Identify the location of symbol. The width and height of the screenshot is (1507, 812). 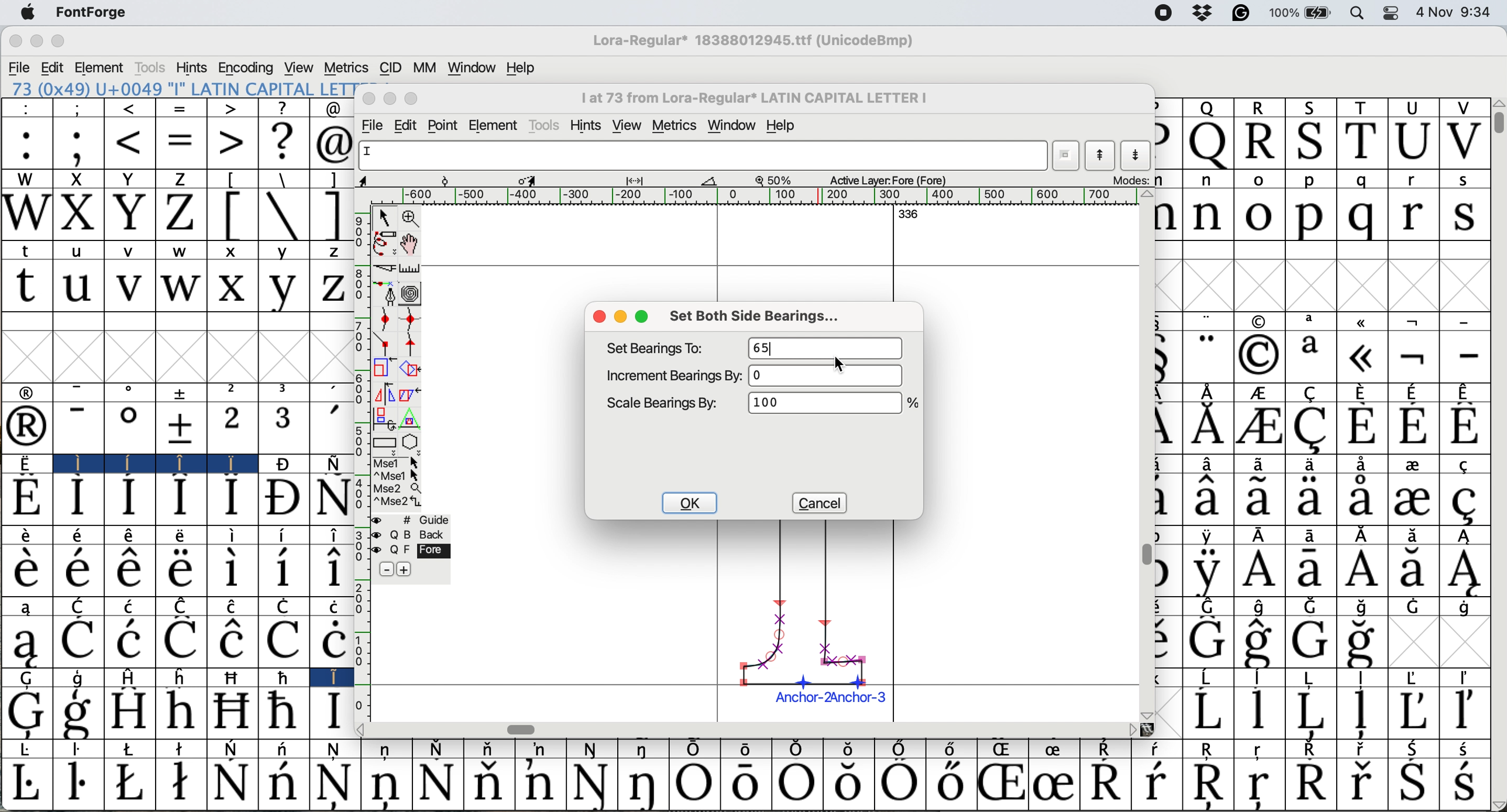
(1259, 321).